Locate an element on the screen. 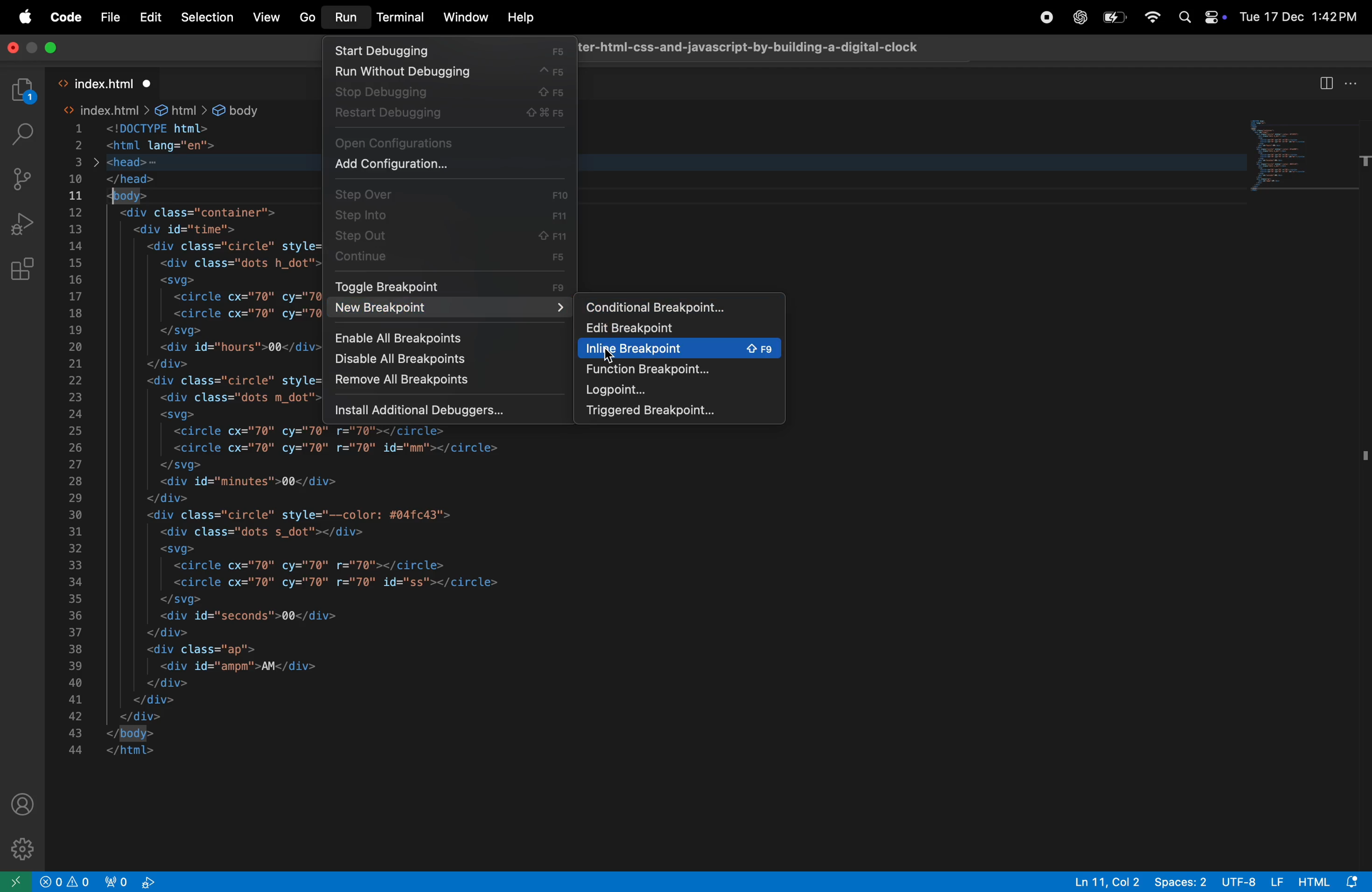 Image resolution: width=1372 pixels, height=892 pixels. remove all break points is located at coordinates (444, 384).